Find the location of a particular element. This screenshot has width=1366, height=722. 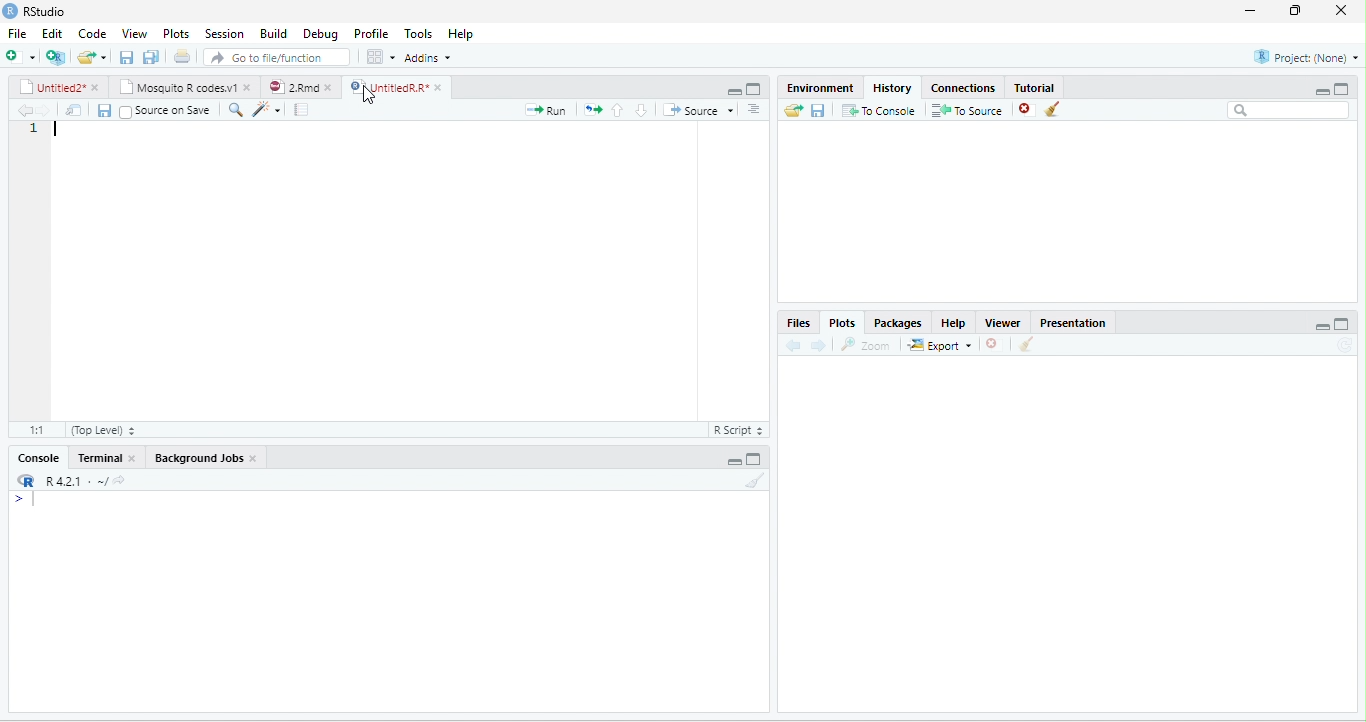

presentation is located at coordinates (1077, 320).